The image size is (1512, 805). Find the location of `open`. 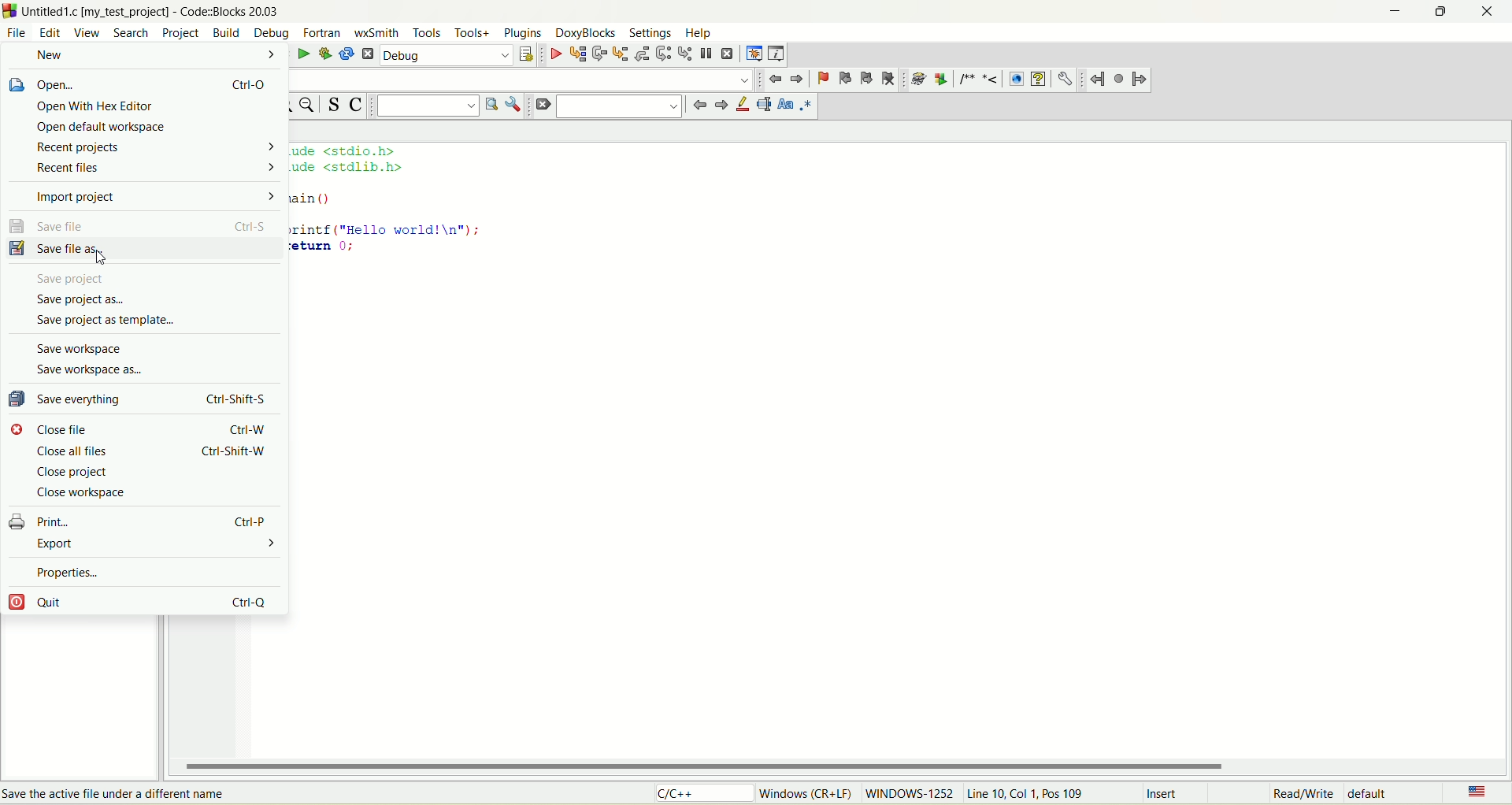

open is located at coordinates (143, 83).